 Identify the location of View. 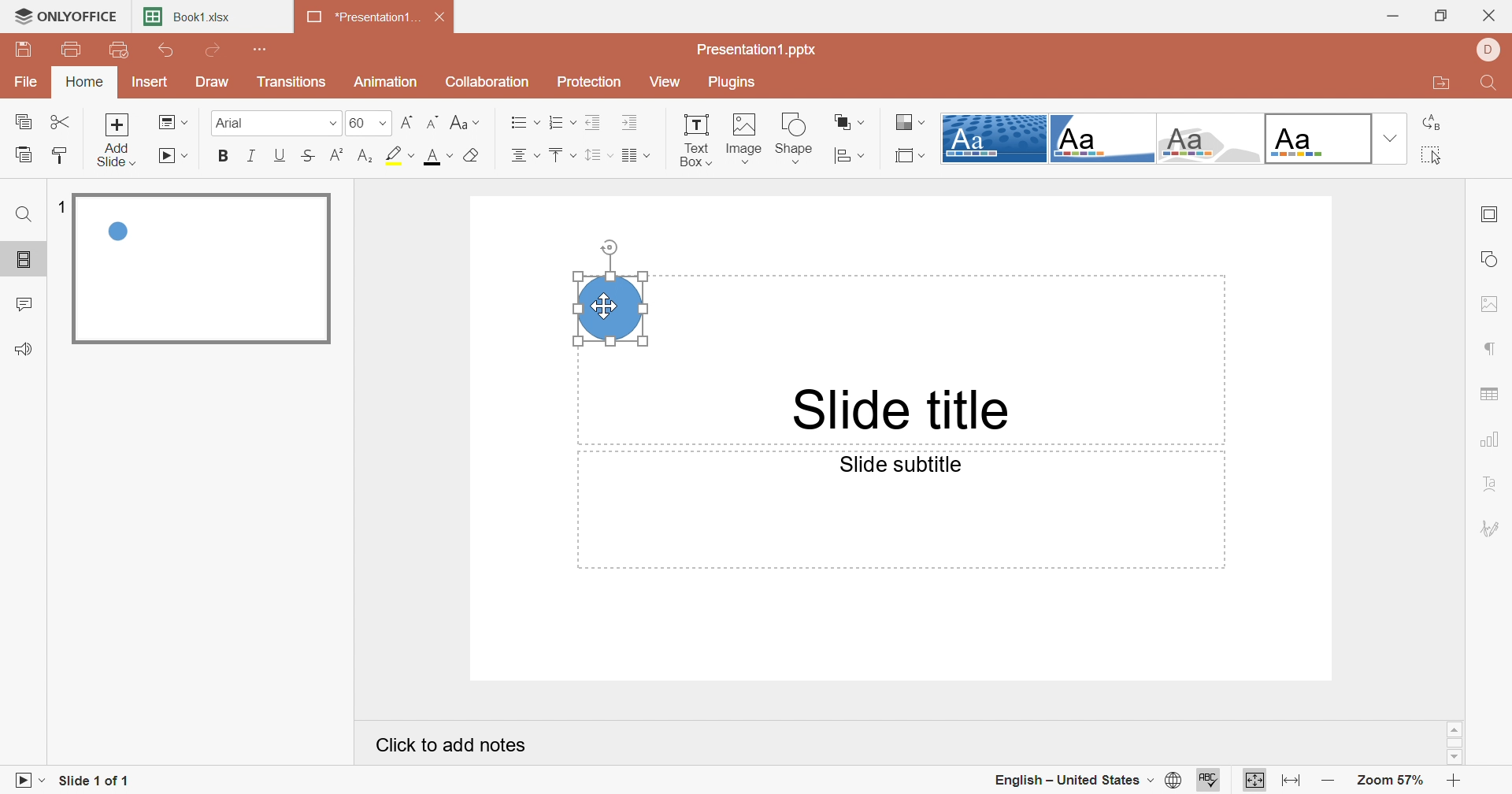
(672, 83).